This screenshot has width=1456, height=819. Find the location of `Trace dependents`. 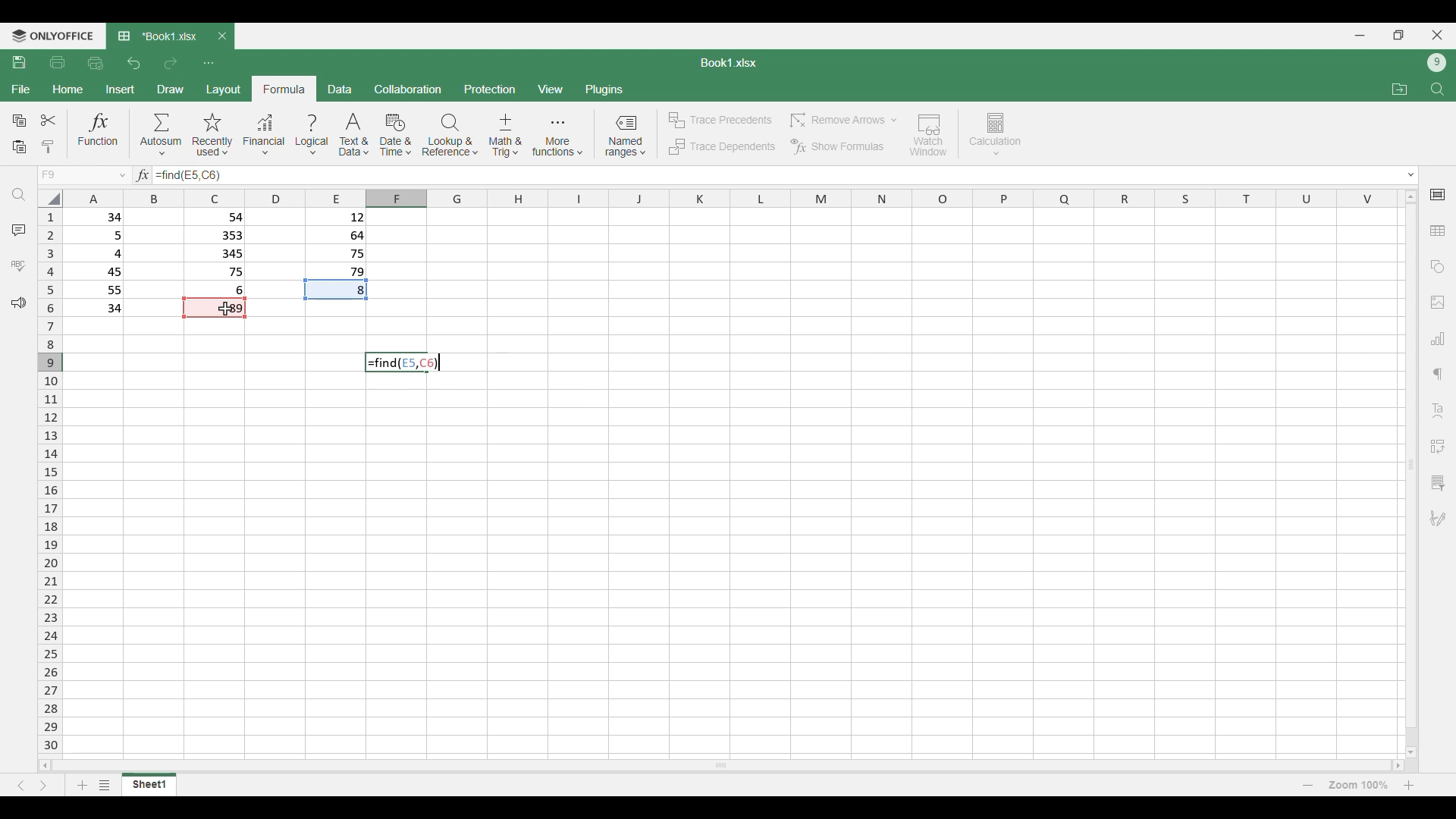

Trace dependents is located at coordinates (721, 147).